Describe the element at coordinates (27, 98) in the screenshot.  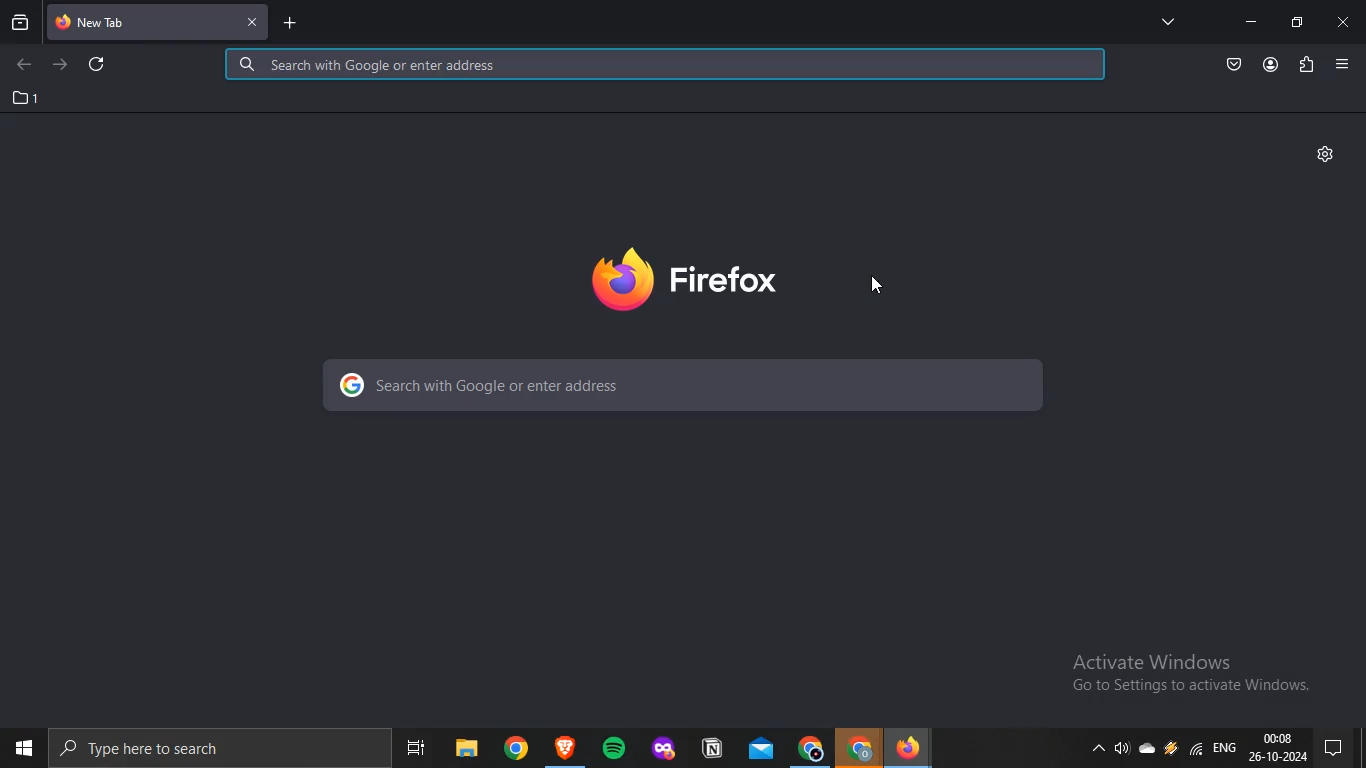
I see `1` at that location.